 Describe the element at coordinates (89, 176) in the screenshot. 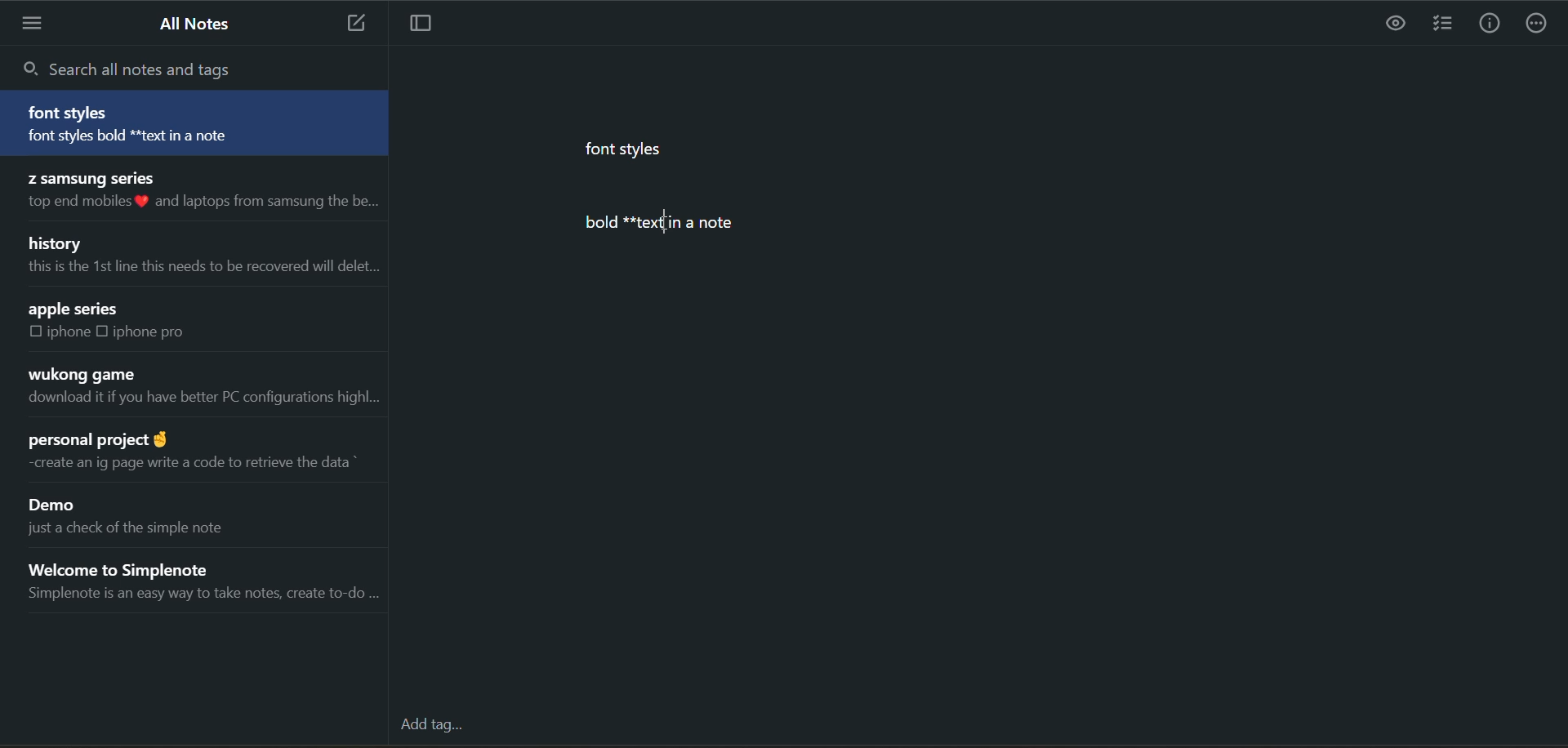

I see `Z samsung series` at that location.